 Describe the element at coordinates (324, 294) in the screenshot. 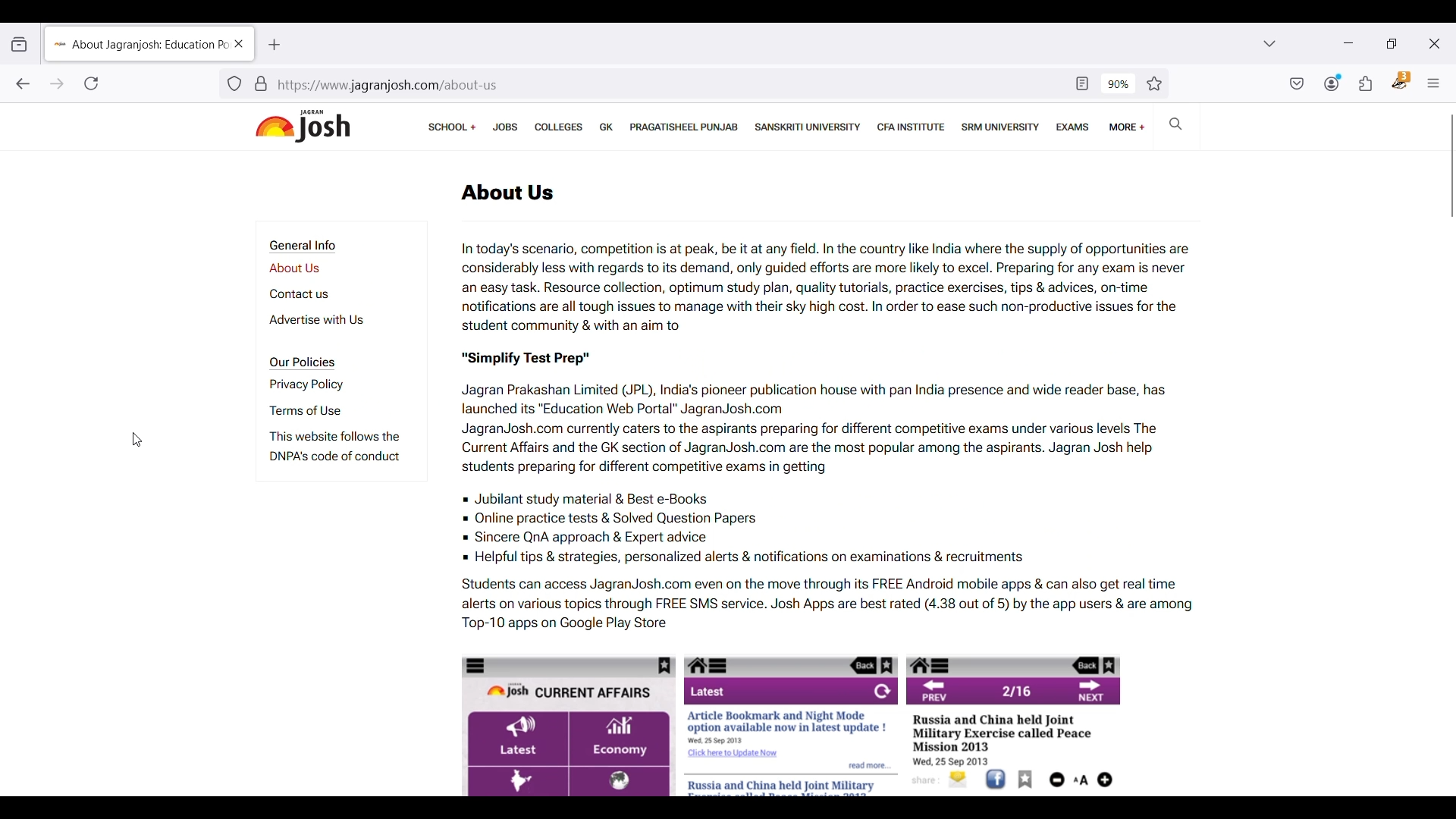

I see `Contact us page` at that location.